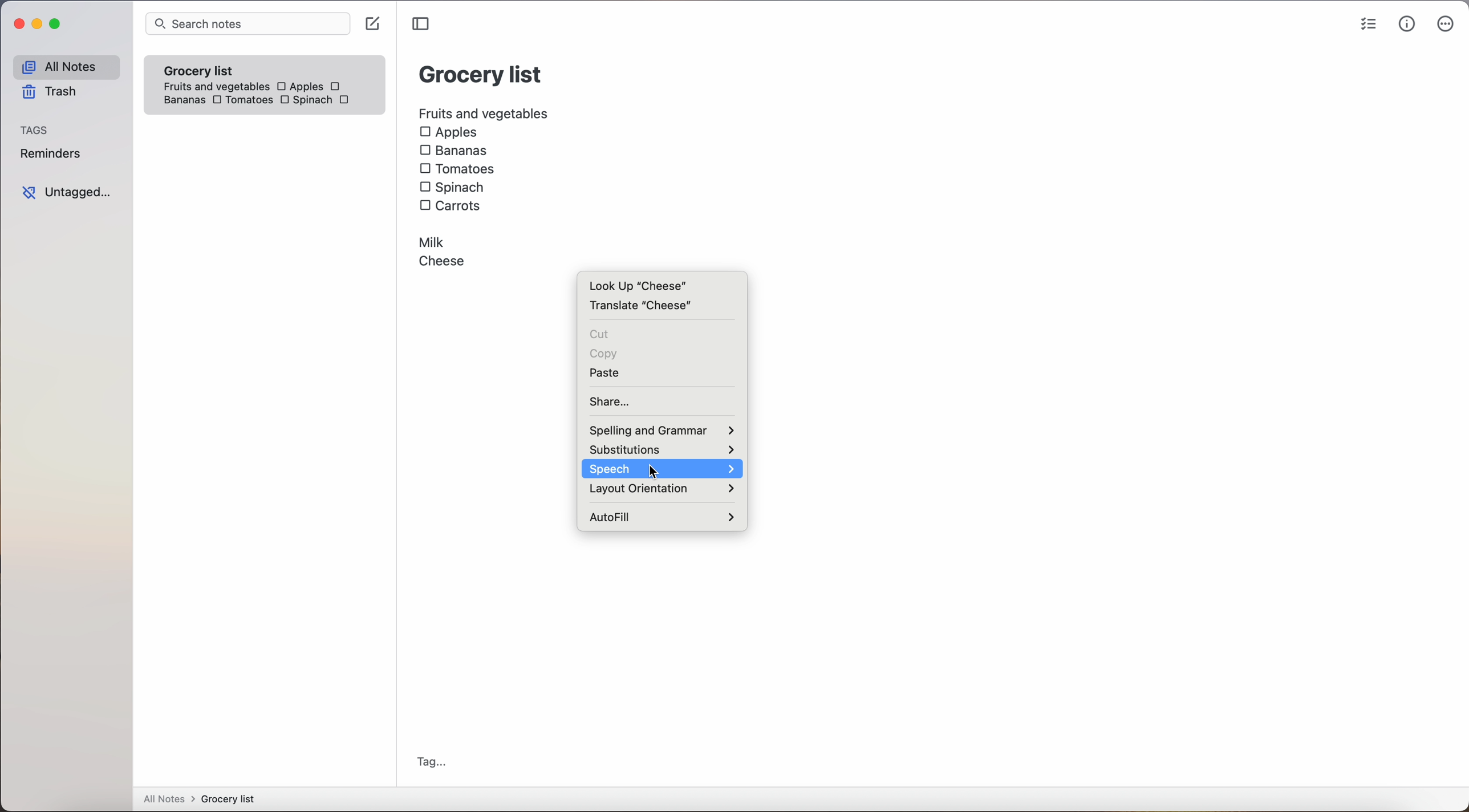 The image size is (1469, 812). Describe the element at coordinates (660, 431) in the screenshot. I see `spelling and grammar` at that location.